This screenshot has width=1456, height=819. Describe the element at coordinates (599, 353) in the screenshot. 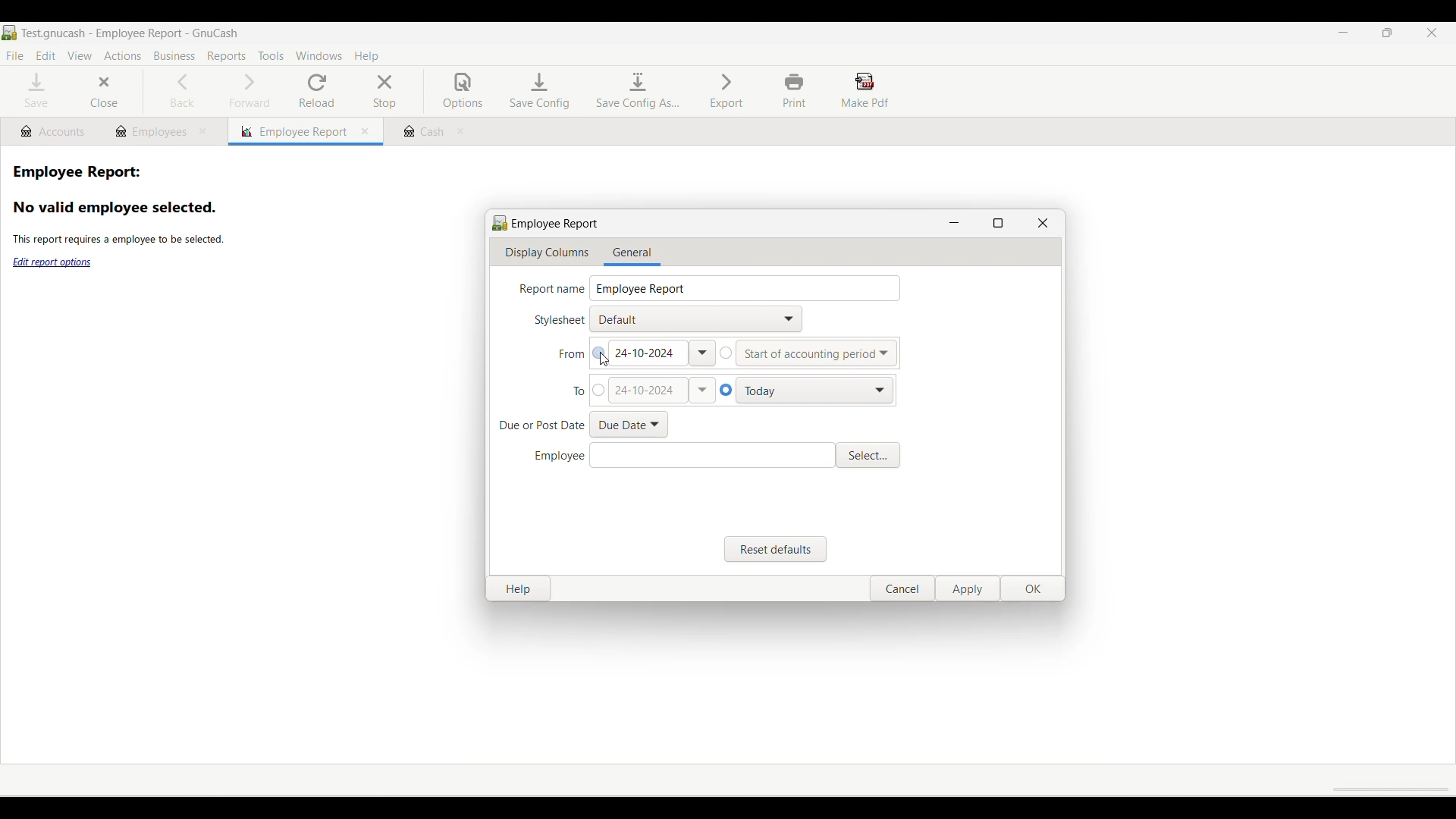

I see `Select manual selection of From date` at that location.